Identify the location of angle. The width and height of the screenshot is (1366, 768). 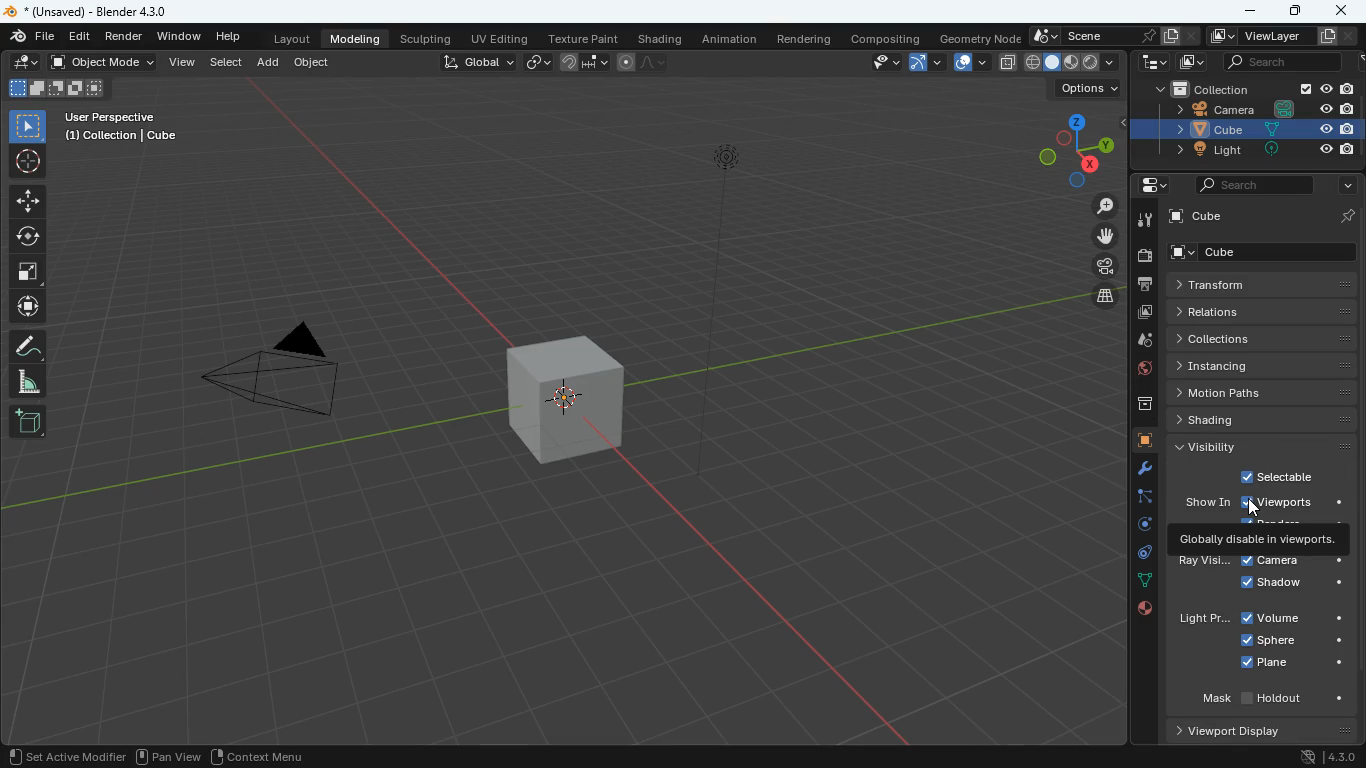
(26, 381).